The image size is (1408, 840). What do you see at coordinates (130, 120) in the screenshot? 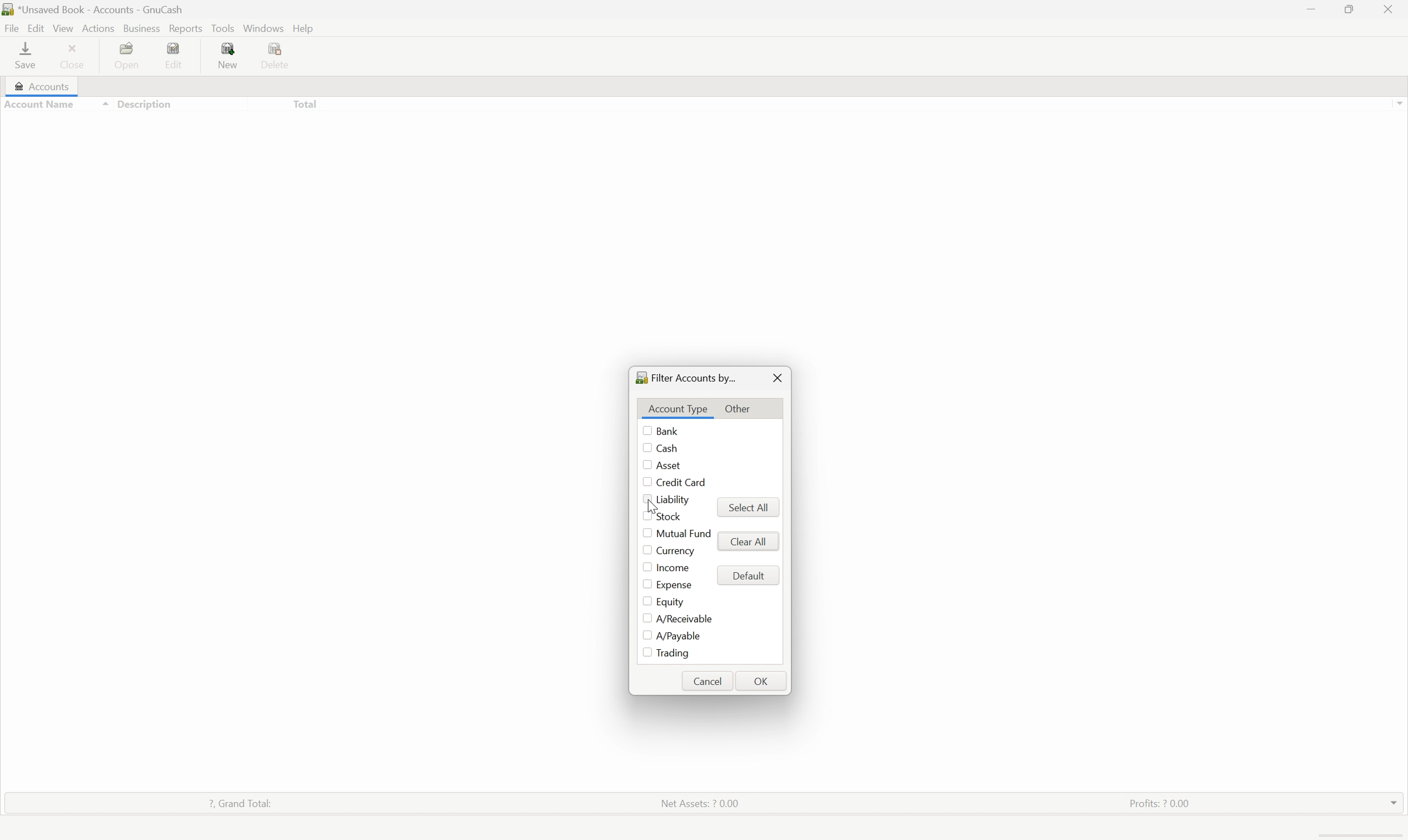
I see `Assets` at bounding box center [130, 120].